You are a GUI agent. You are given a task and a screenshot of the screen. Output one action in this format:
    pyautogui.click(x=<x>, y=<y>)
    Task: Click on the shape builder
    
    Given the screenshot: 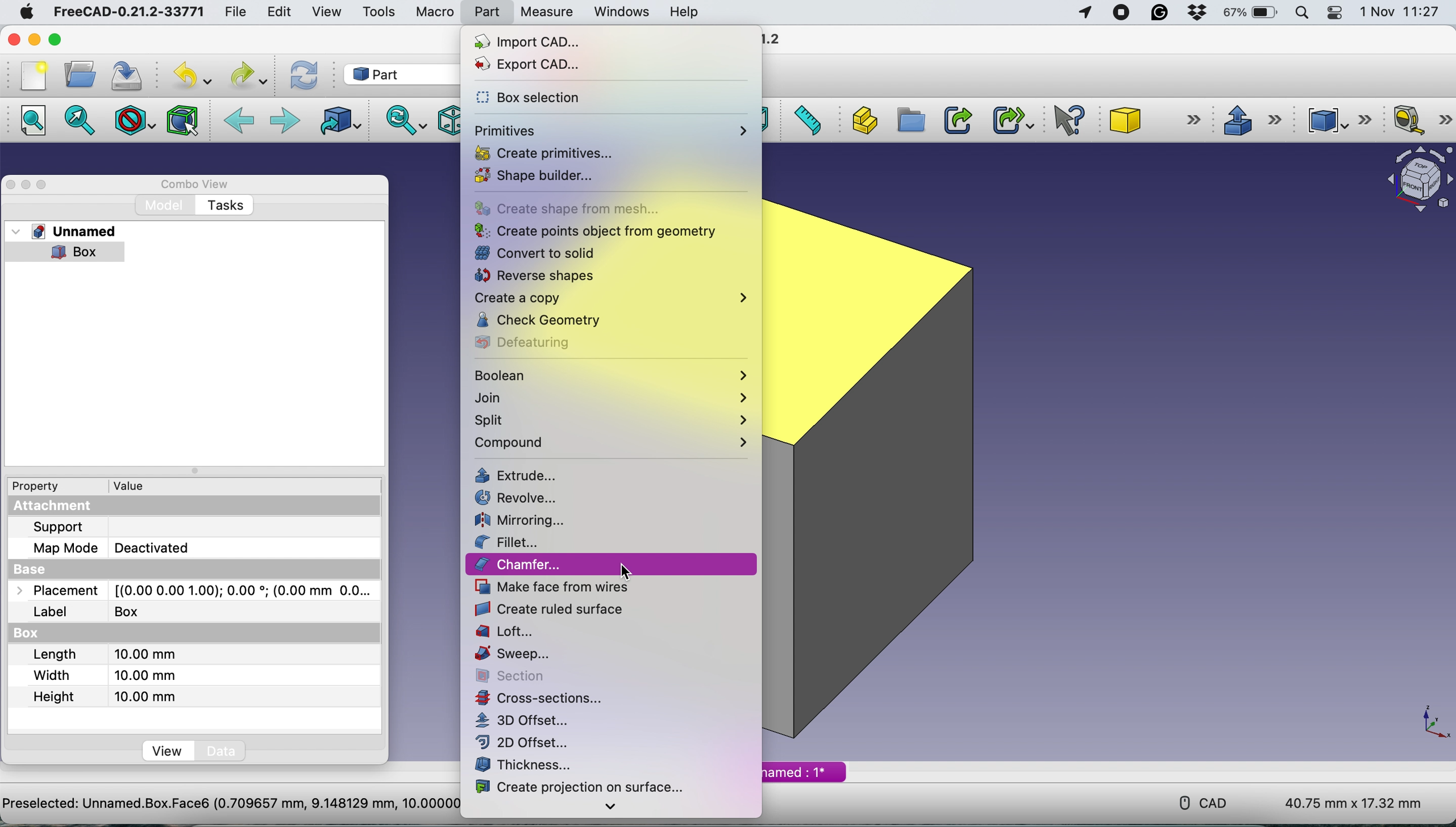 What is the action you would take?
    pyautogui.click(x=543, y=175)
    